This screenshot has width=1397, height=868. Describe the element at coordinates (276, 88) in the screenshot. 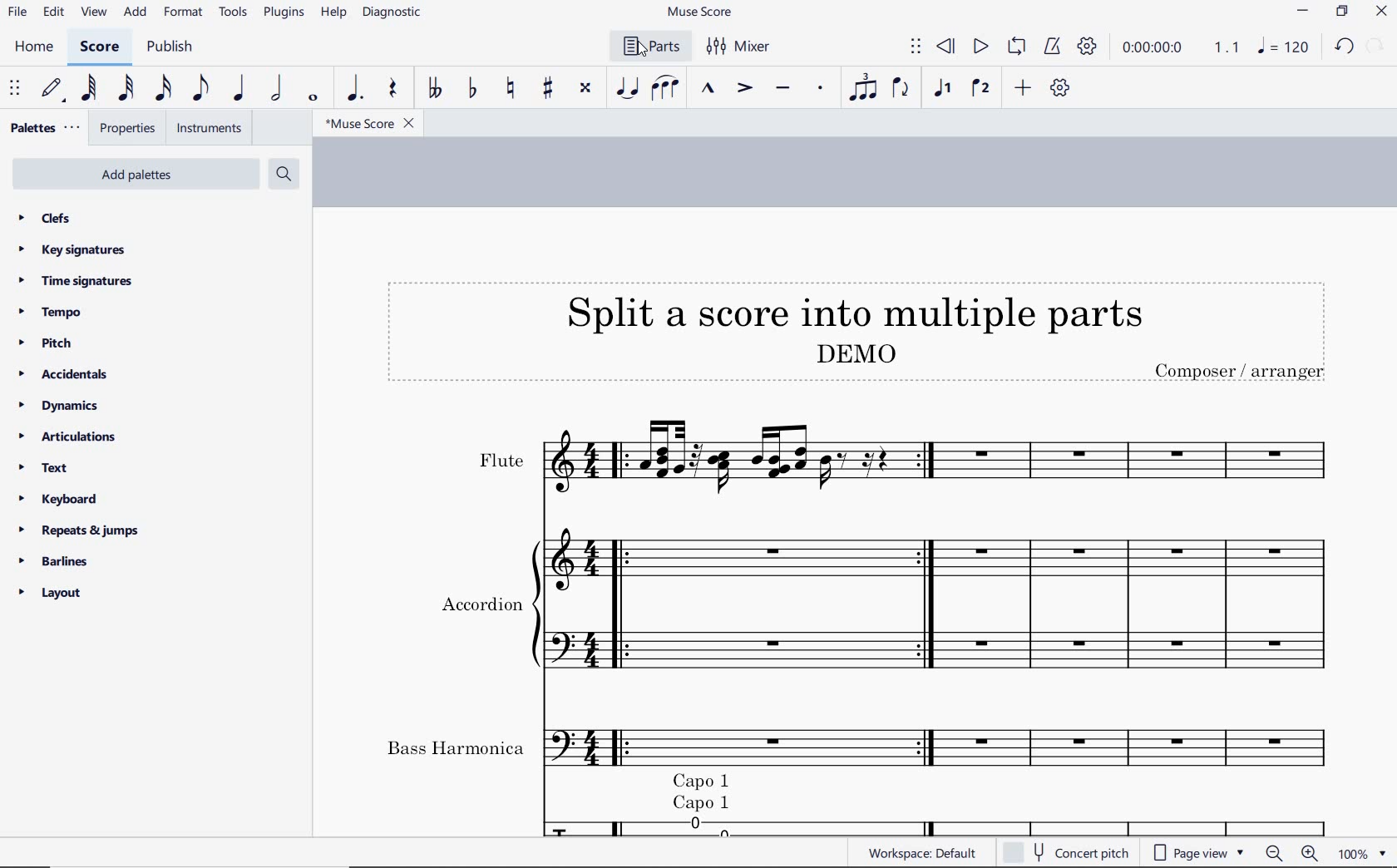

I see `half note` at that location.